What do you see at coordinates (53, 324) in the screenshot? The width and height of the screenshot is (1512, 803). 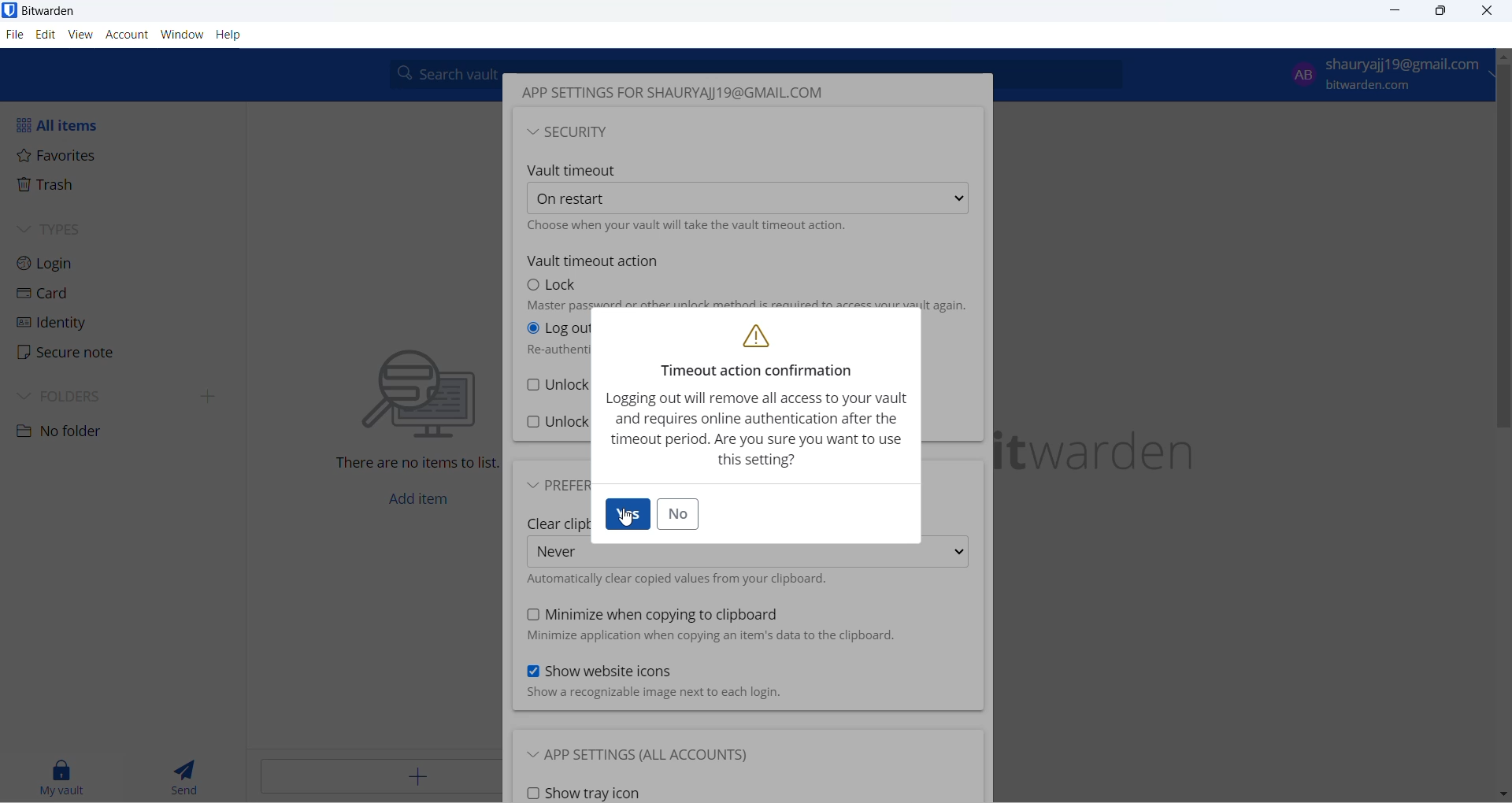 I see `identity` at bounding box center [53, 324].